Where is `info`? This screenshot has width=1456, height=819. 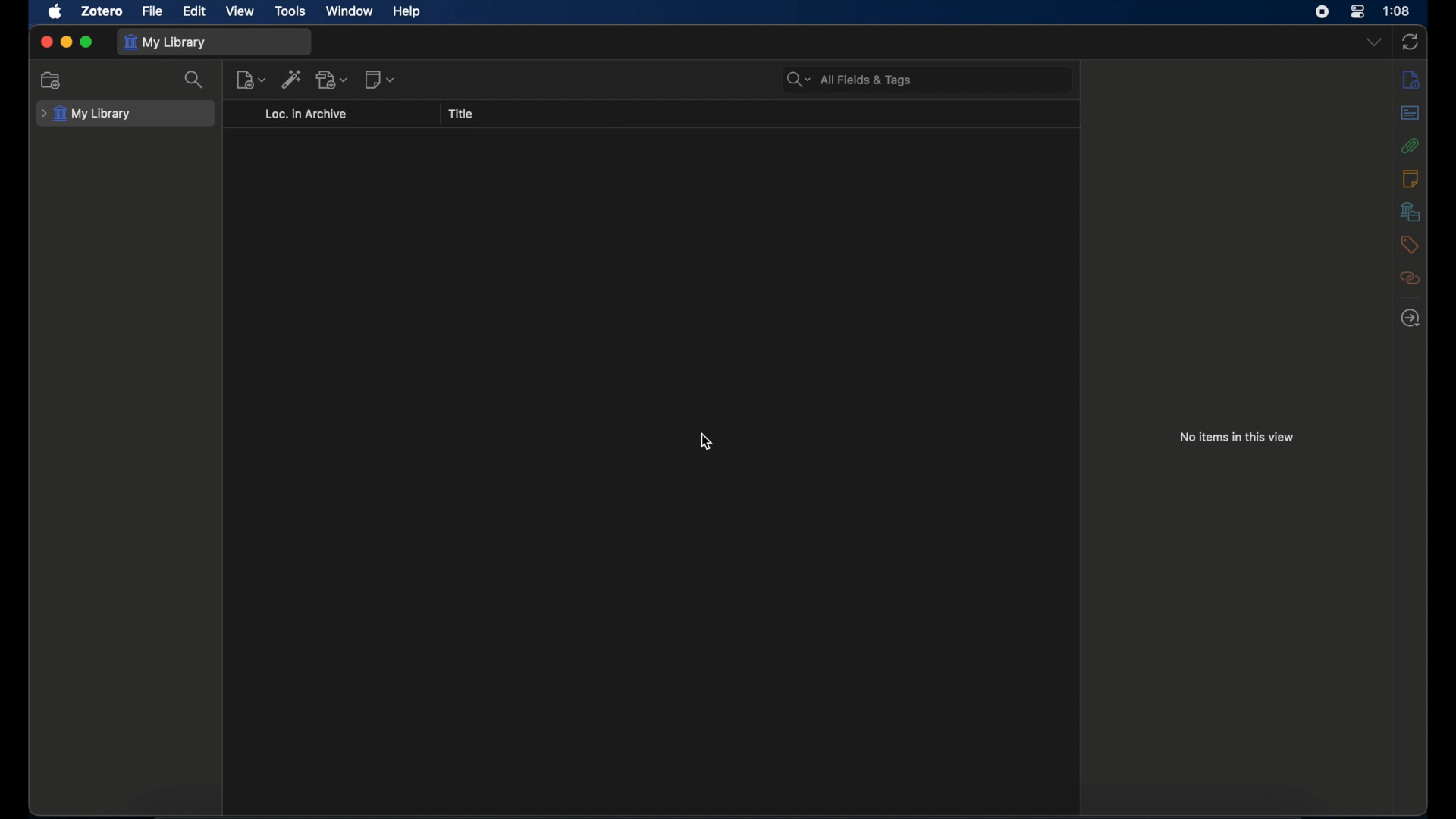
info is located at coordinates (1411, 80).